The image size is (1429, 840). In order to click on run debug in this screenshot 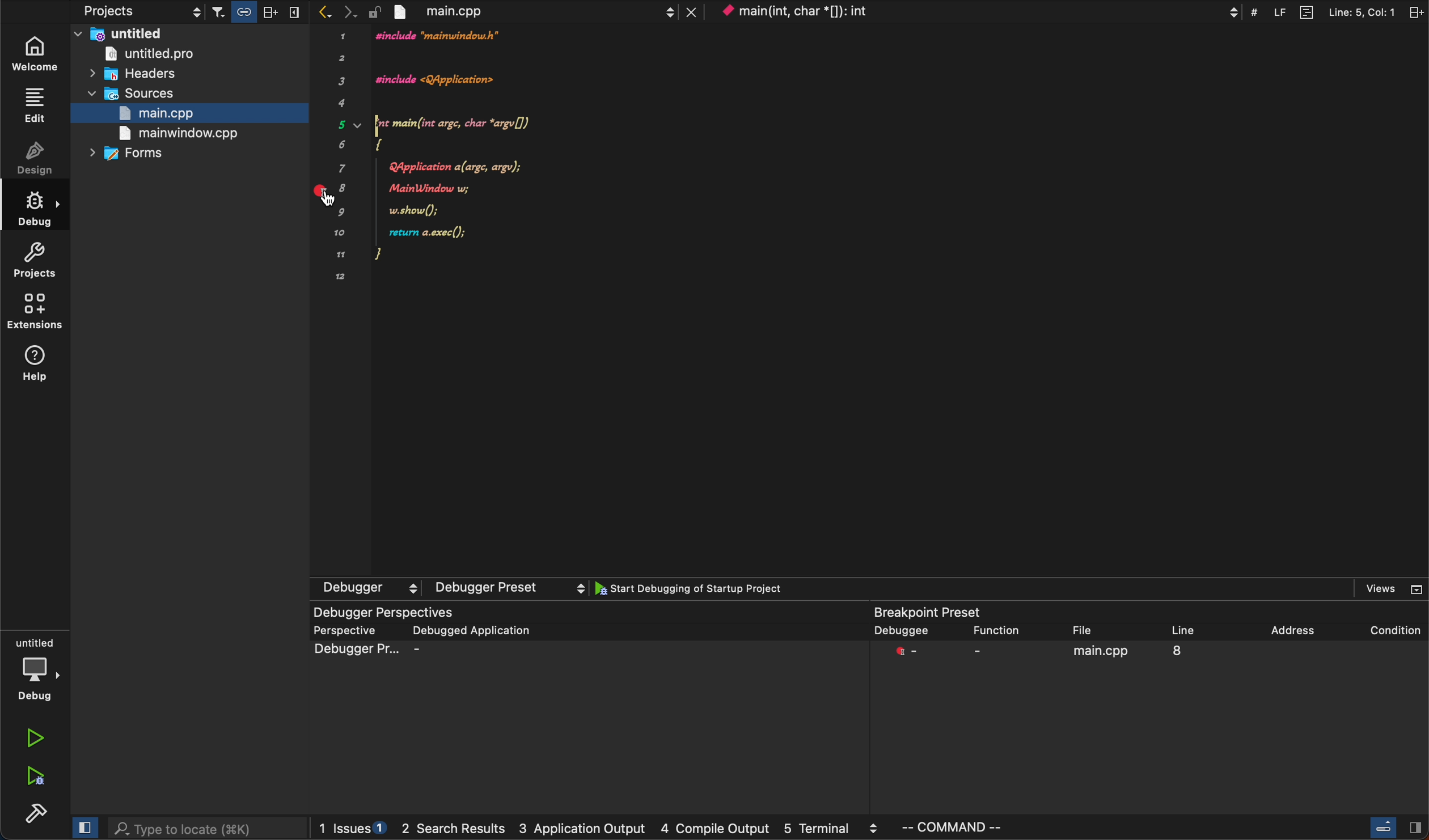, I will do `click(31, 778)`.